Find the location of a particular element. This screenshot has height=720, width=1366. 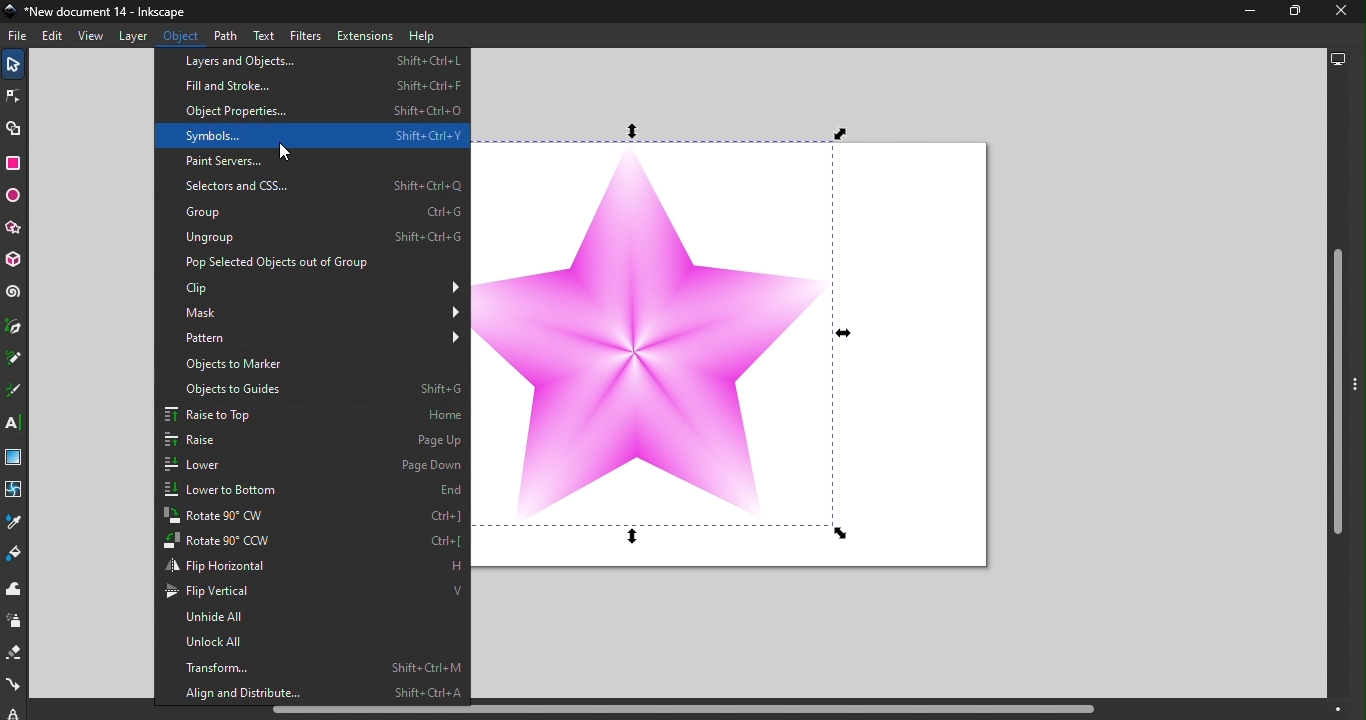

Objects to guide is located at coordinates (308, 389).